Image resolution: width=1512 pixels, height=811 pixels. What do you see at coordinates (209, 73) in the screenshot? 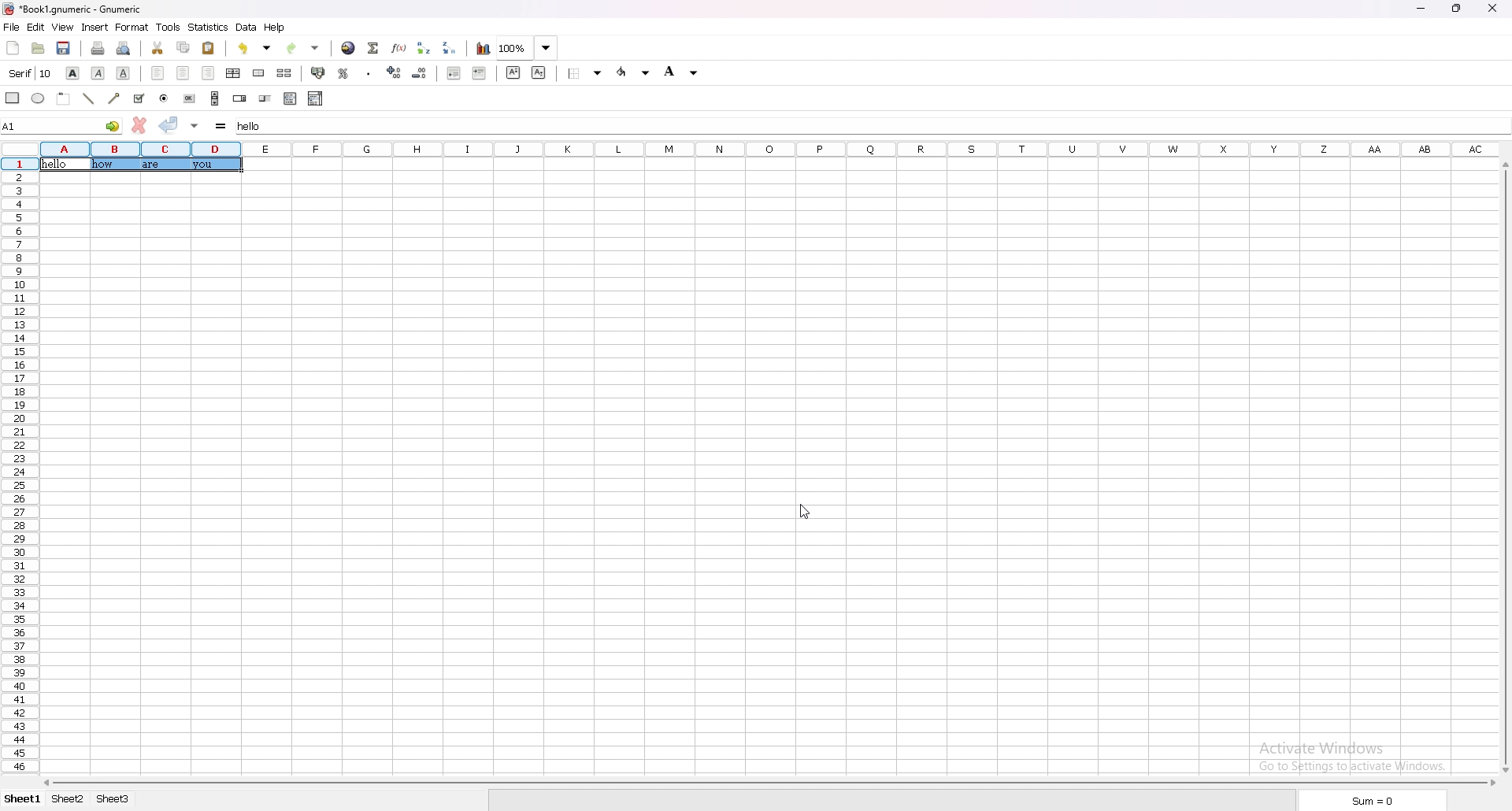
I see `right align` at bounding box center [209, 73].